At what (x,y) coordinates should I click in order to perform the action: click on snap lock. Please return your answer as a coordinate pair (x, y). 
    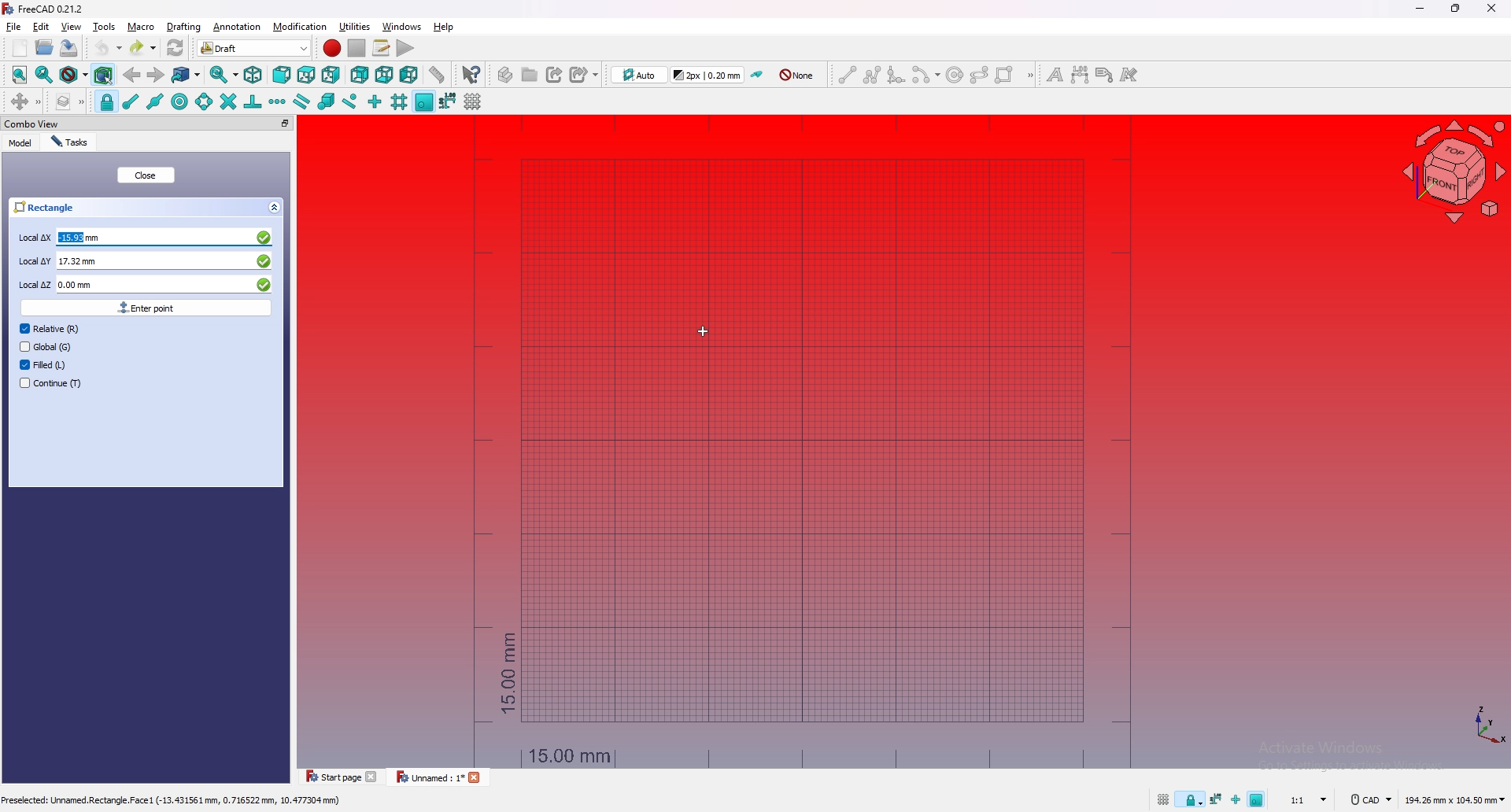
    Looking at the image, I should click on (106, 101).